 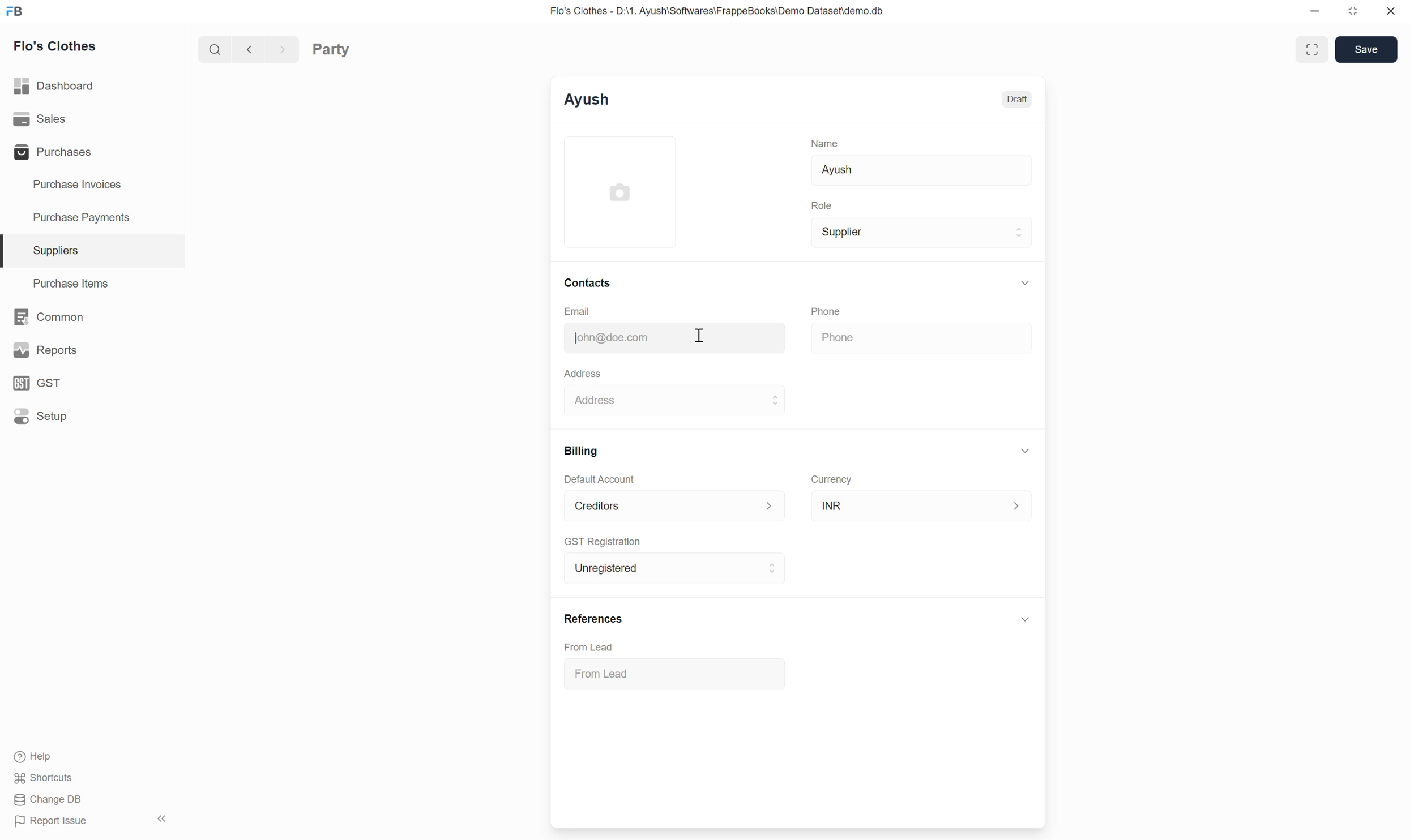 I want to click on Reports, so click(x=92, y=350).